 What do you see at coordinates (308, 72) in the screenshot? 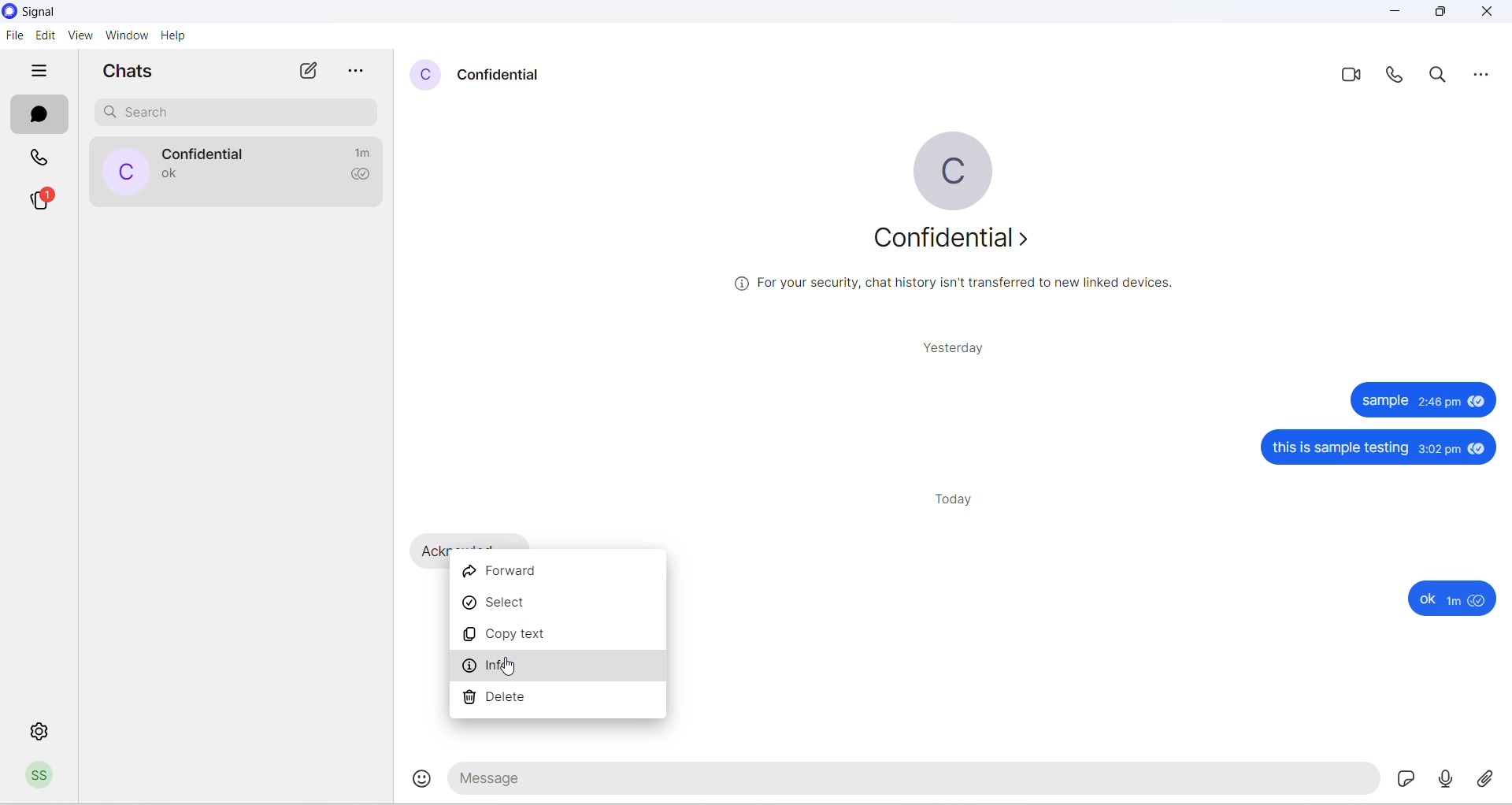
I see `new chat` at bounding box center [308, 72].